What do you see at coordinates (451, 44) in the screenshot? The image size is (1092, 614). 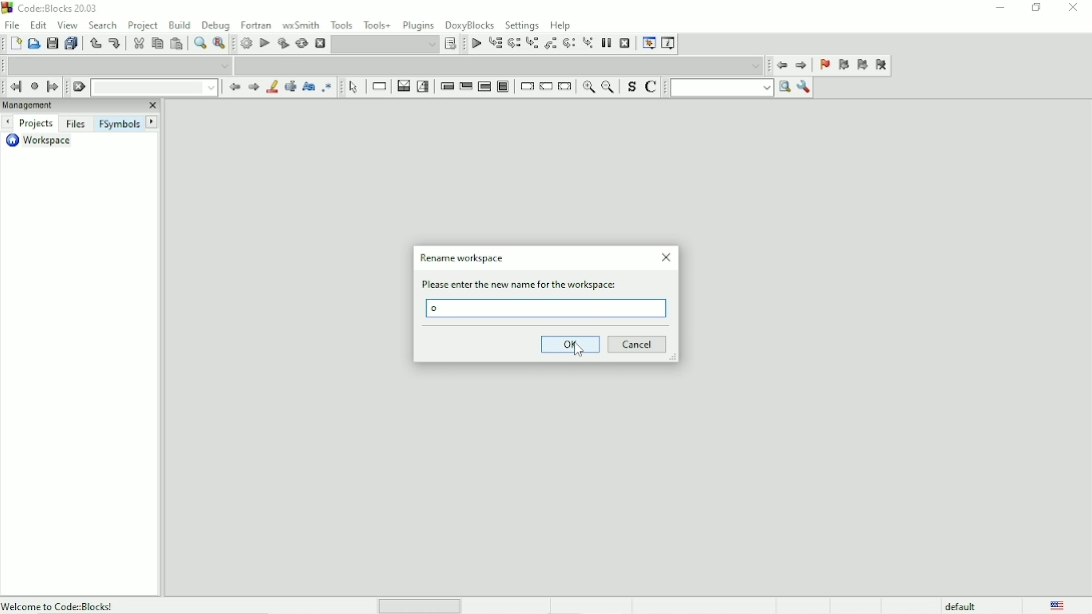 I see `Show the select target dialog` at bounding box center [451, 44].